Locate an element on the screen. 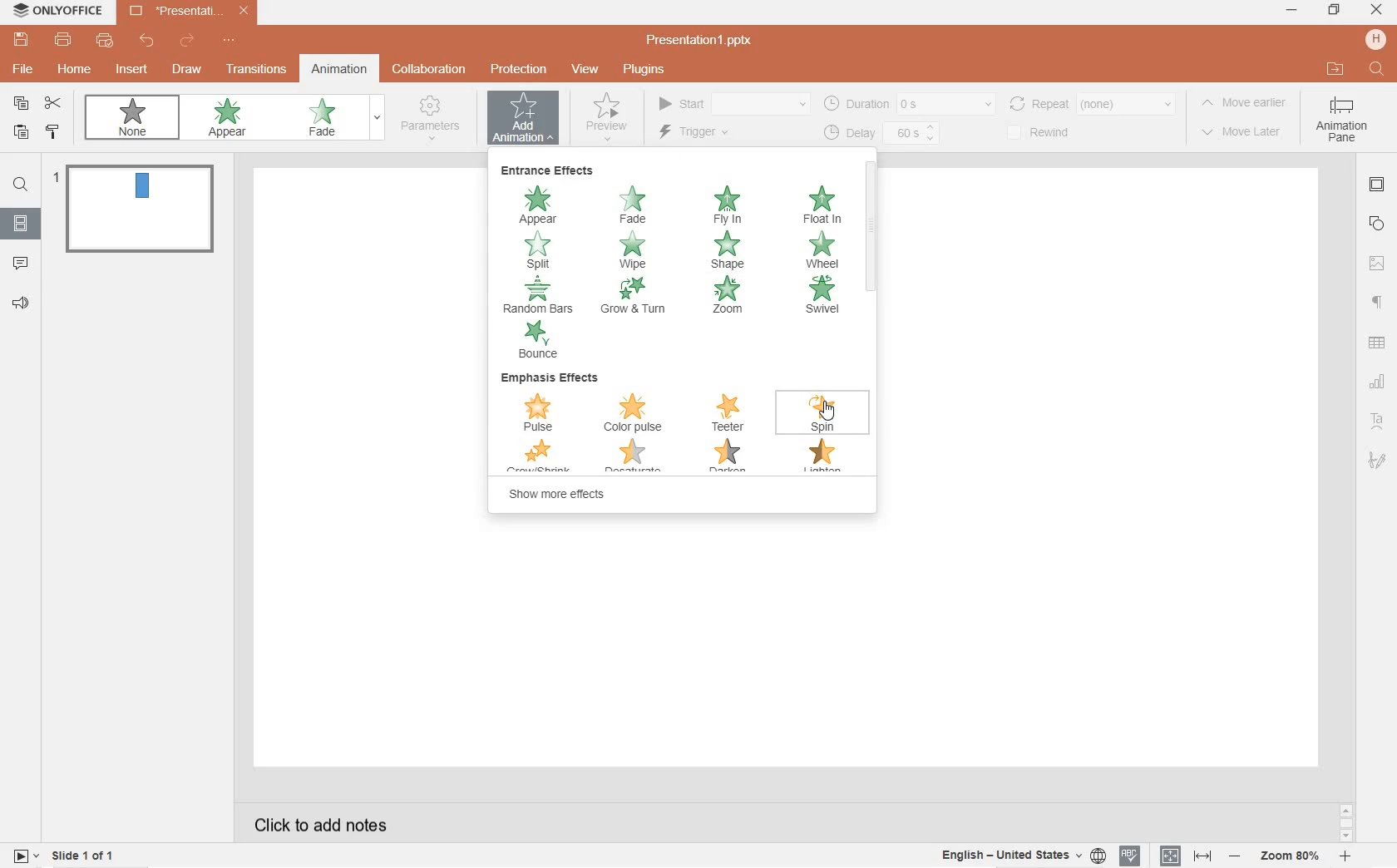  scrollbar is located at coordinates (870, 224).